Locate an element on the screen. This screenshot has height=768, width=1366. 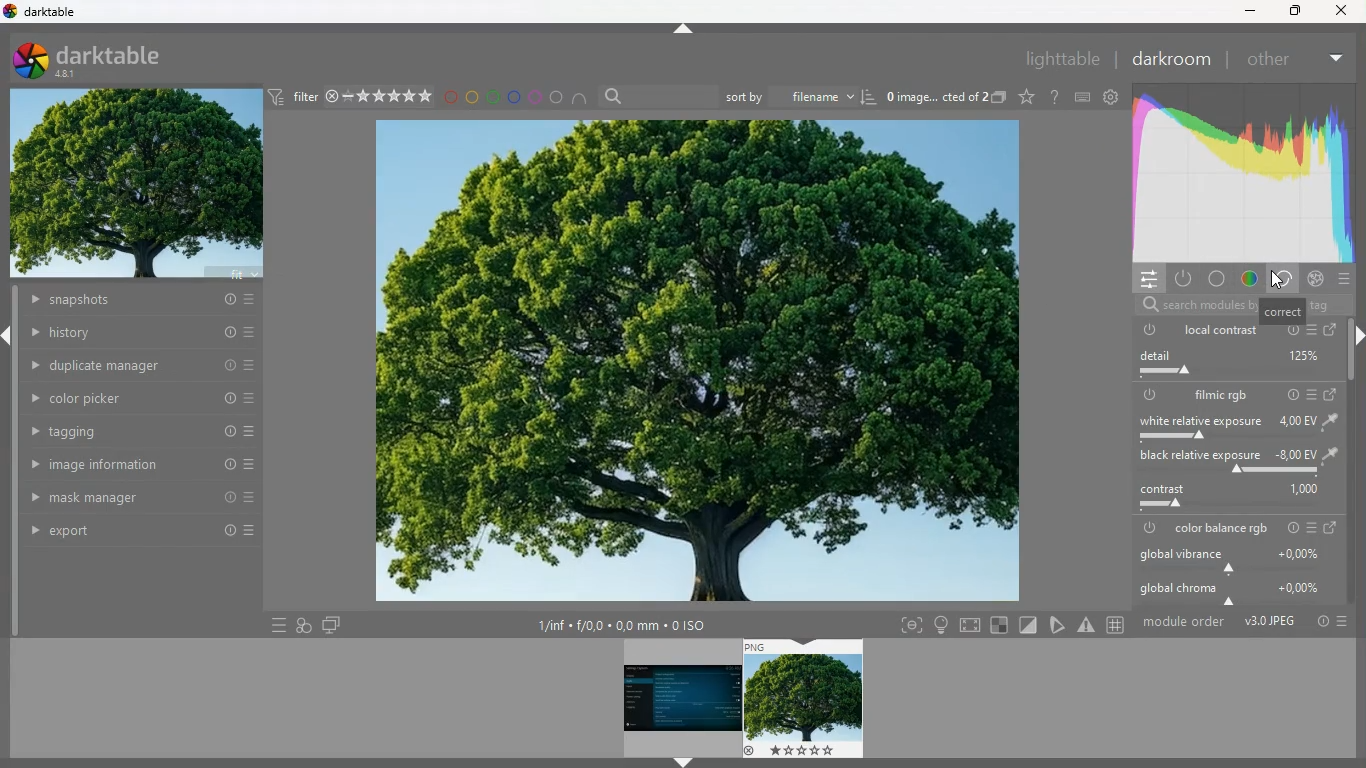
change is located at coordinates (1332, 528).